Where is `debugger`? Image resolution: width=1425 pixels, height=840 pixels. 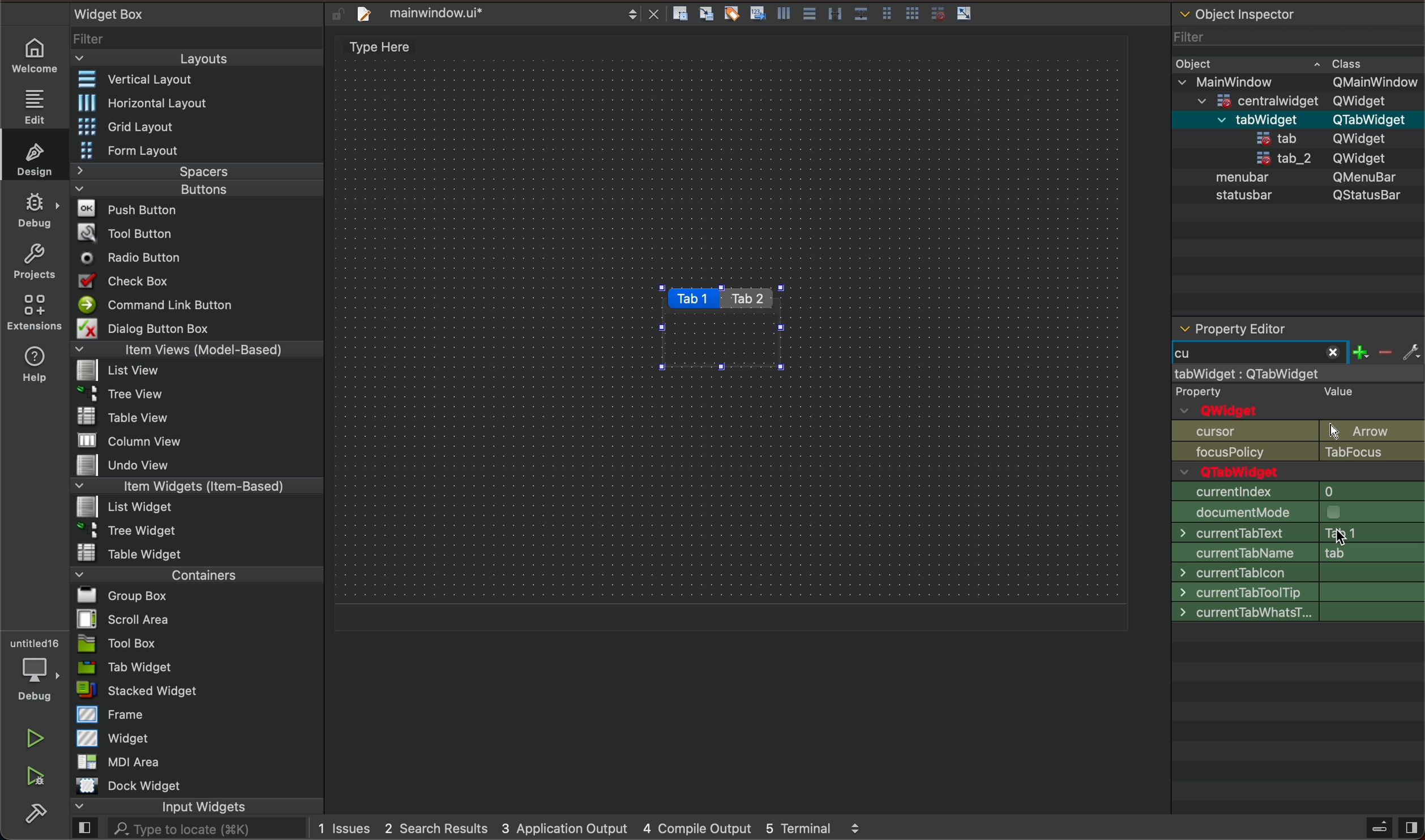
debugger is located at coordinates (32, 666).